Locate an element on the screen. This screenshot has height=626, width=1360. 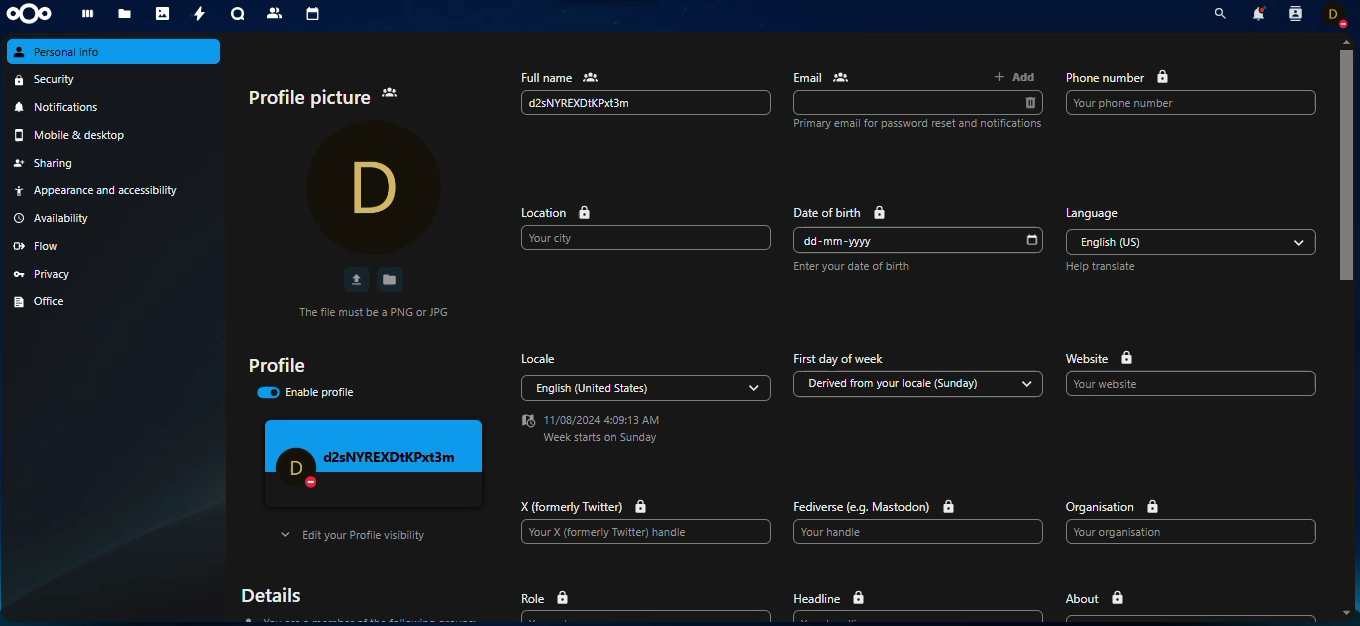
The file must be a PNG or JPG is located at coordinates (373, 312).